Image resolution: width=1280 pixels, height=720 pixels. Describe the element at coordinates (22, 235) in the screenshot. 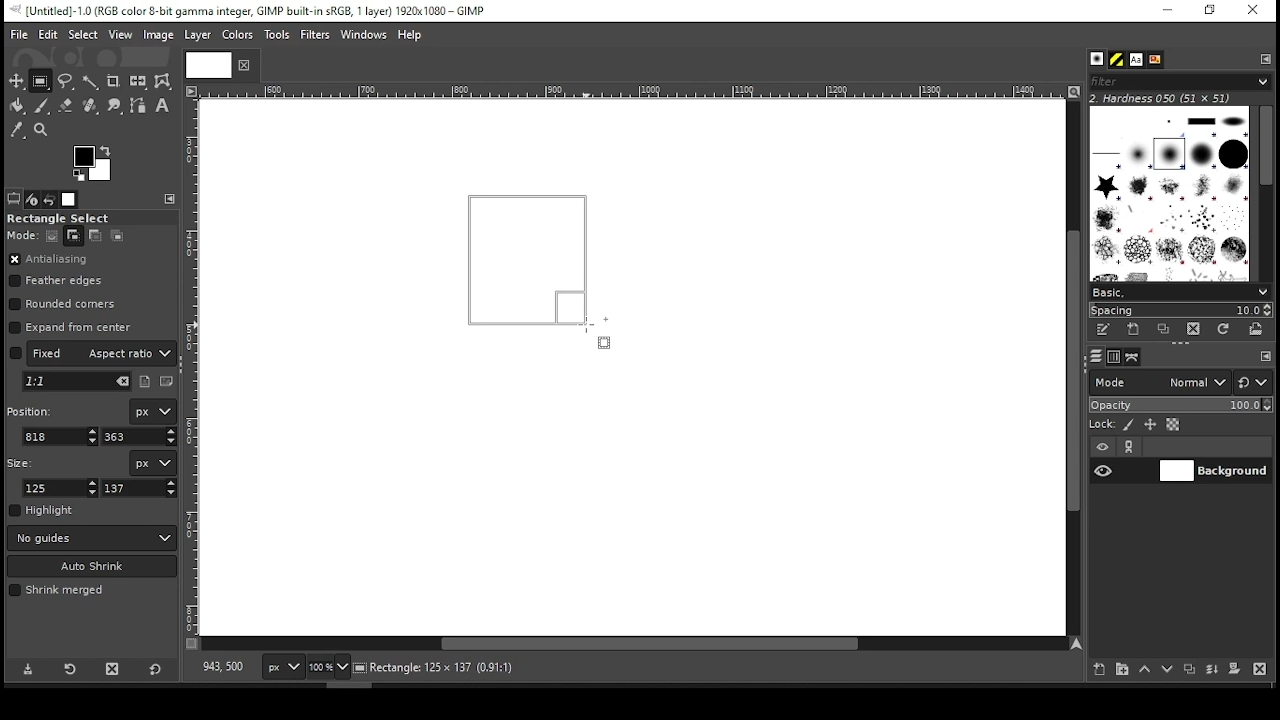

I see `move:` at that location.